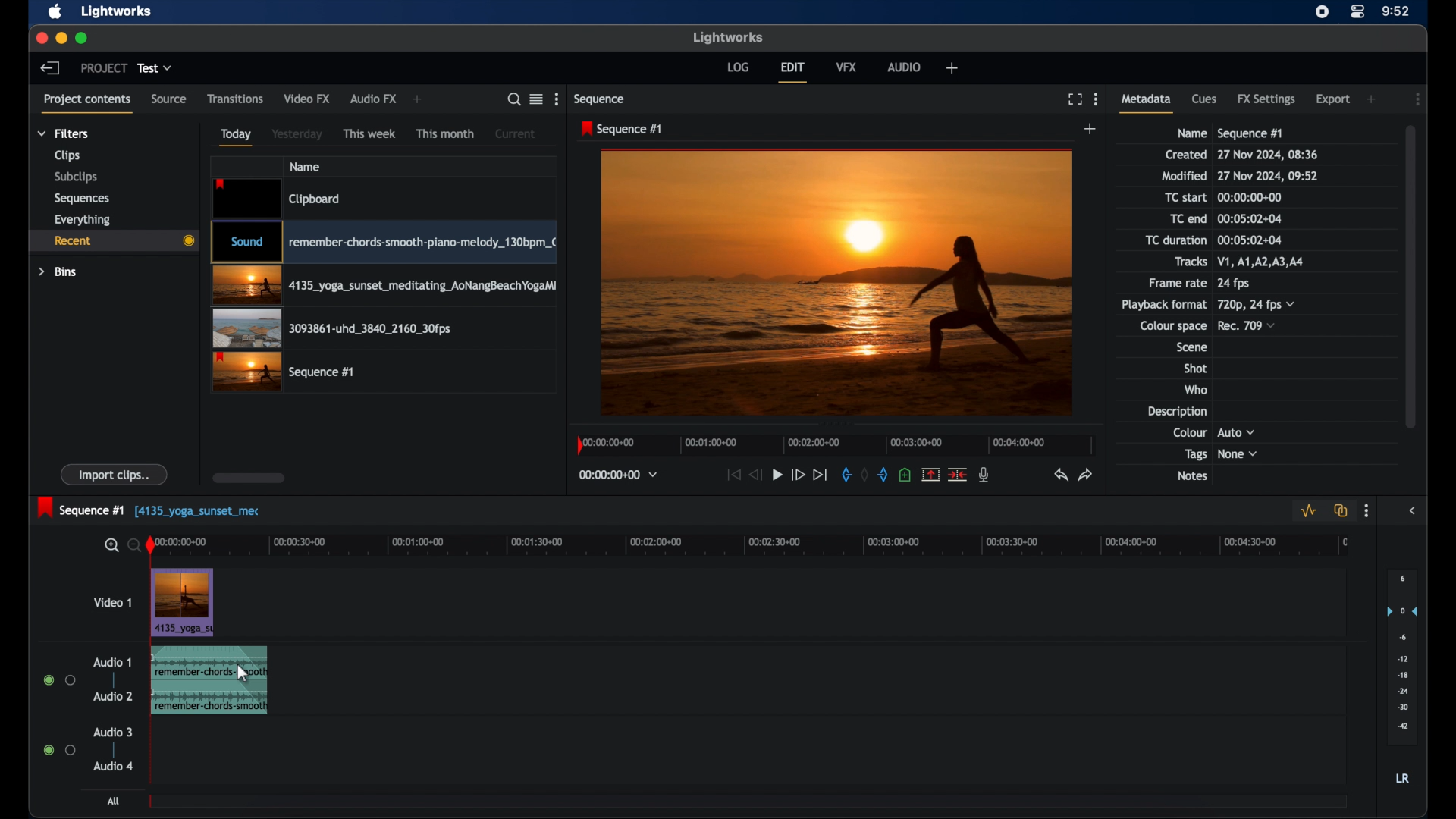 The height and width of the screenshot is (819, 1456). I want to click on close, so click(40, 38).